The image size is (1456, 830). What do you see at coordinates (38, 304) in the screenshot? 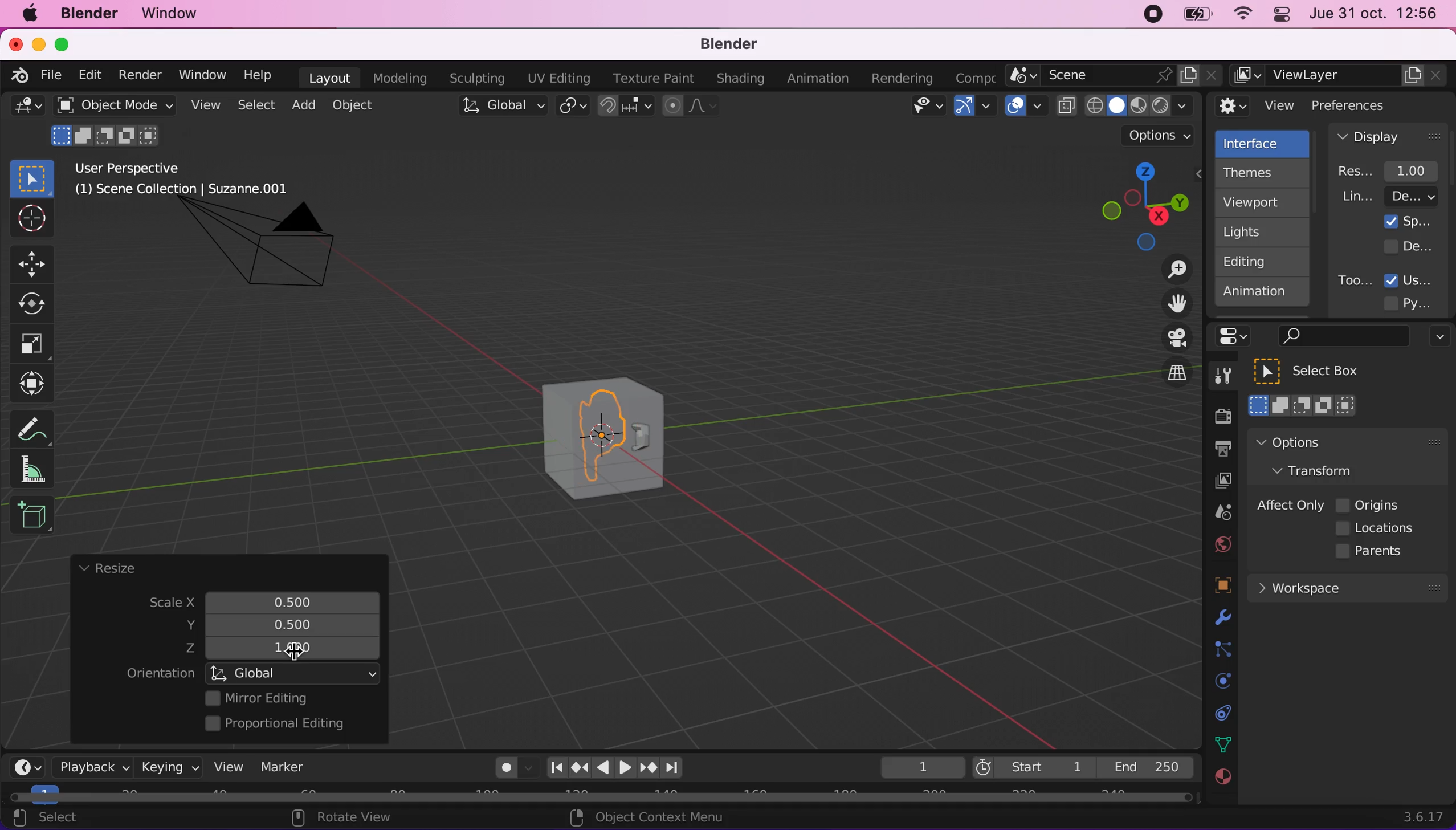
I see `` at bounding box center [38, 304].